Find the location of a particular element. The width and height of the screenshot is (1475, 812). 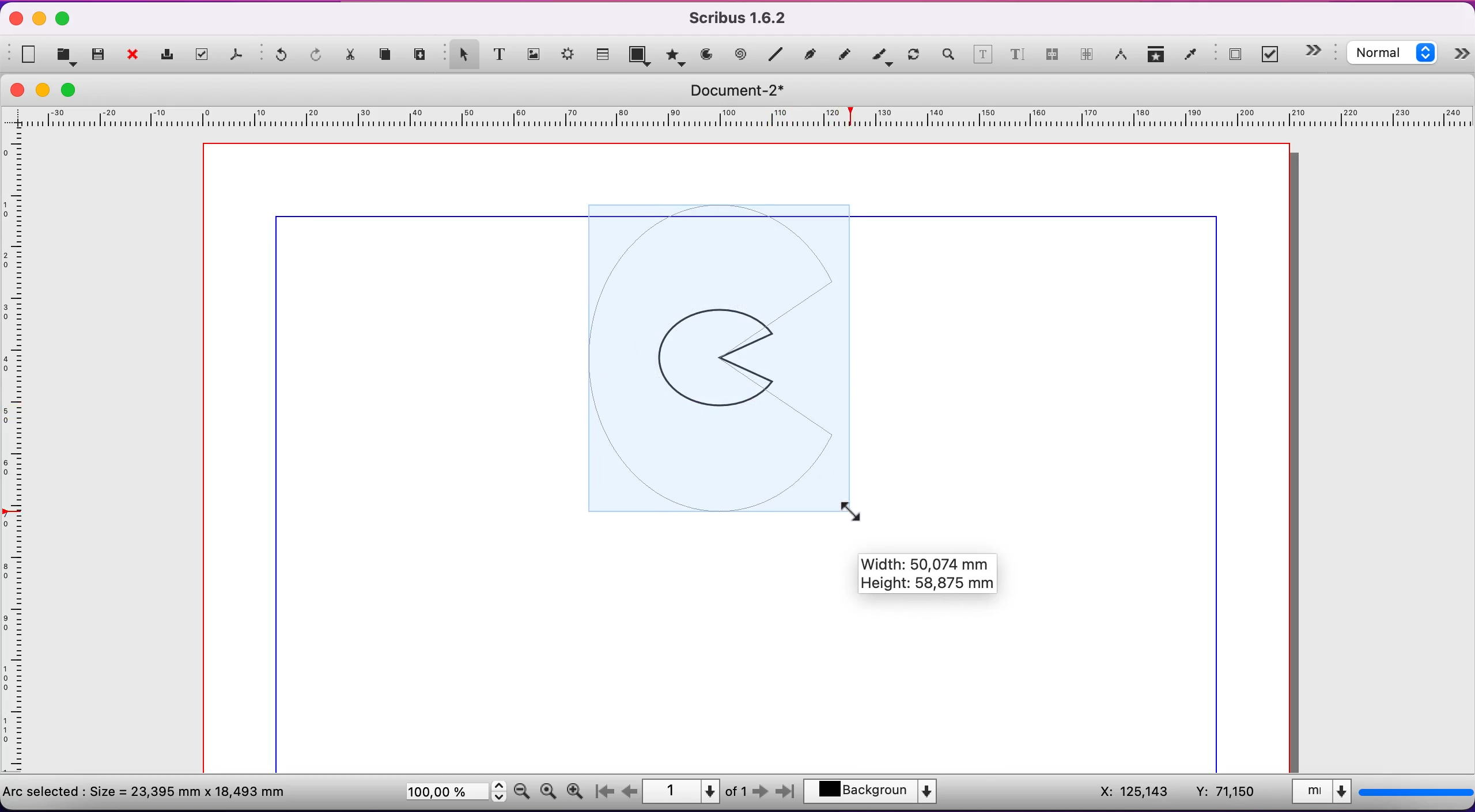

scribus is located at coordinates (744, 18).